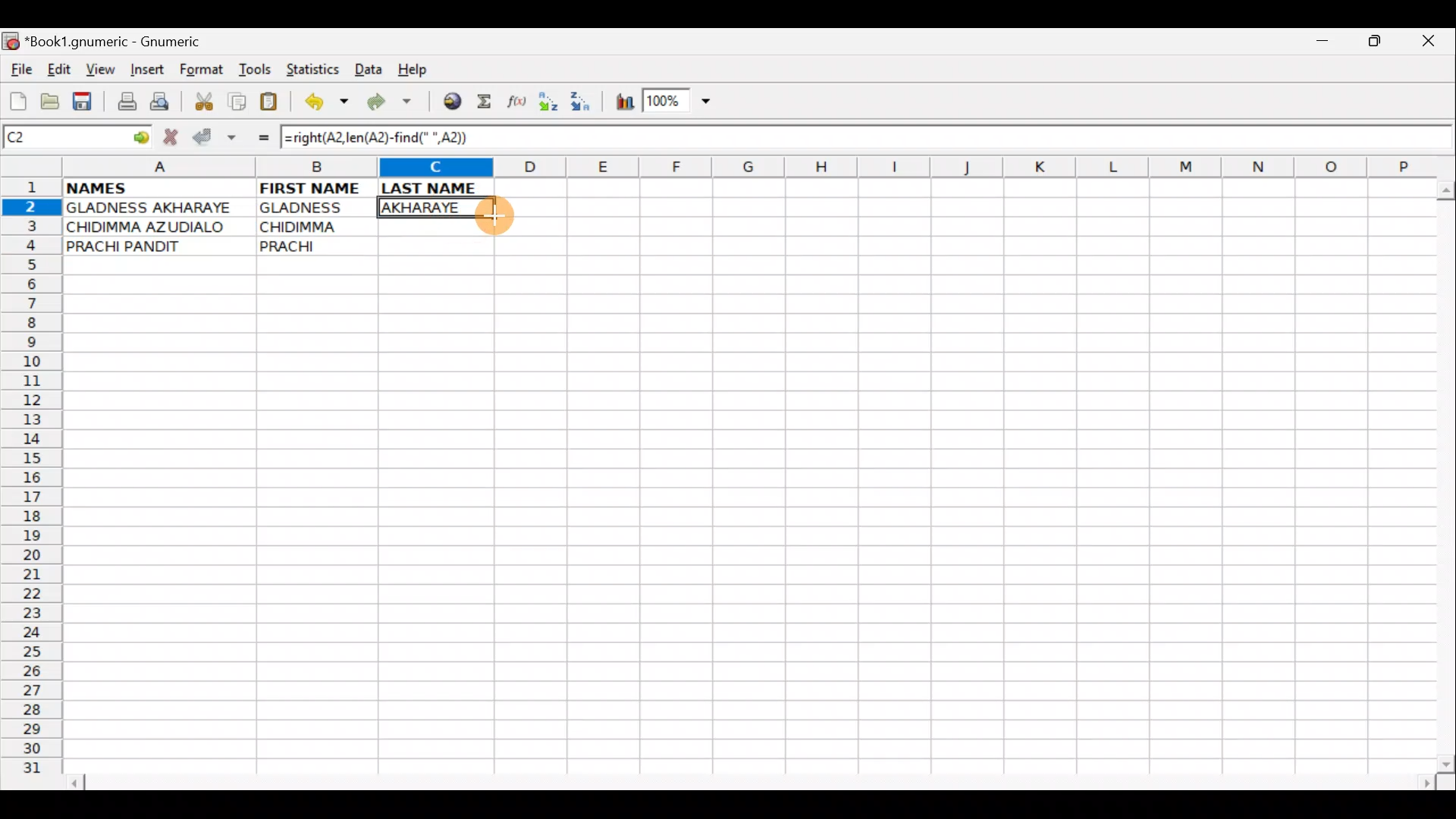  Describe the element at coordinates (328, 104) in the screenshot. I see `Undo last action` at that location.